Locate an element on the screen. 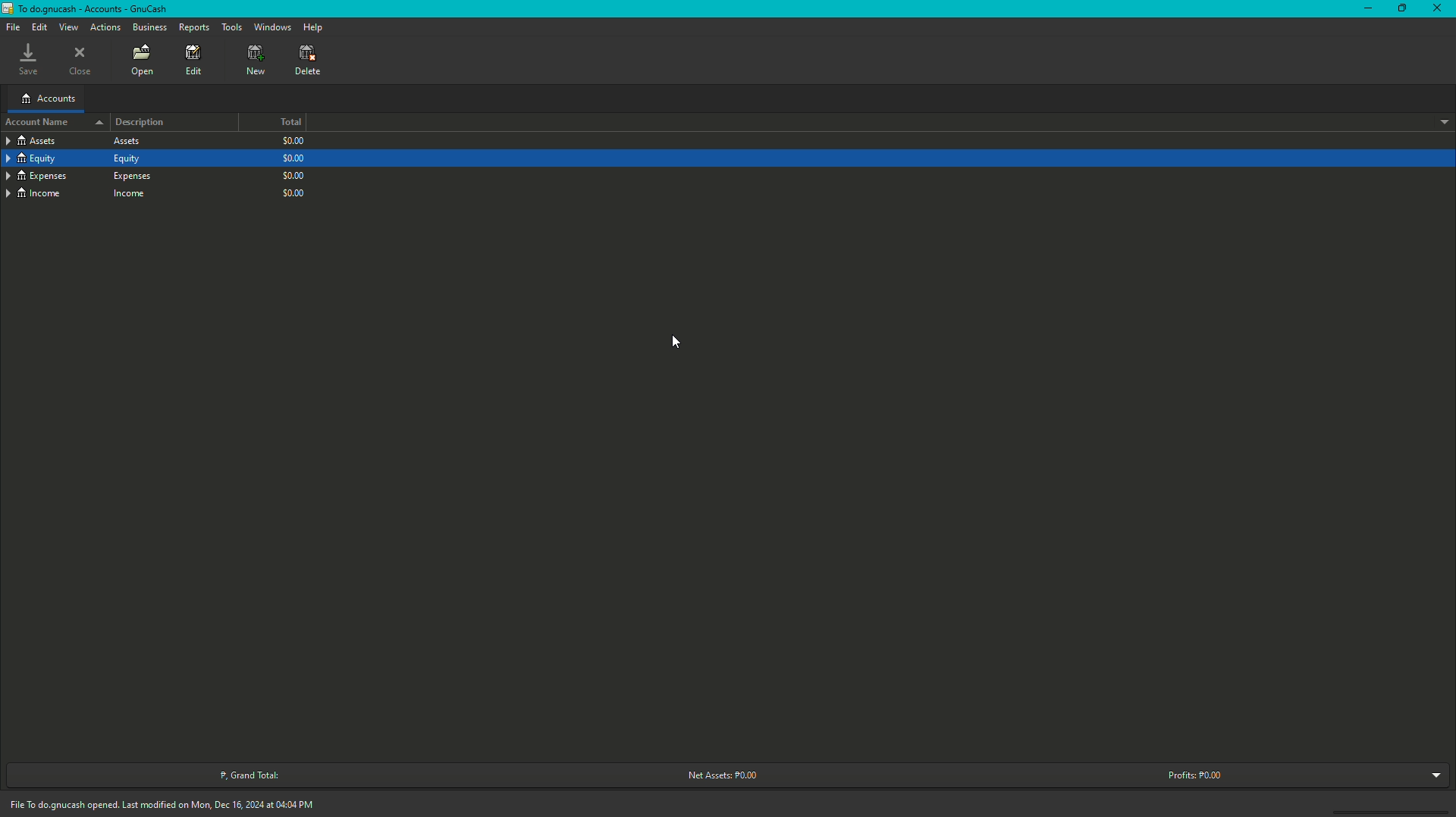 The height and width of the screenshot is (817, 1456). View is located at coordinates (69, 27).